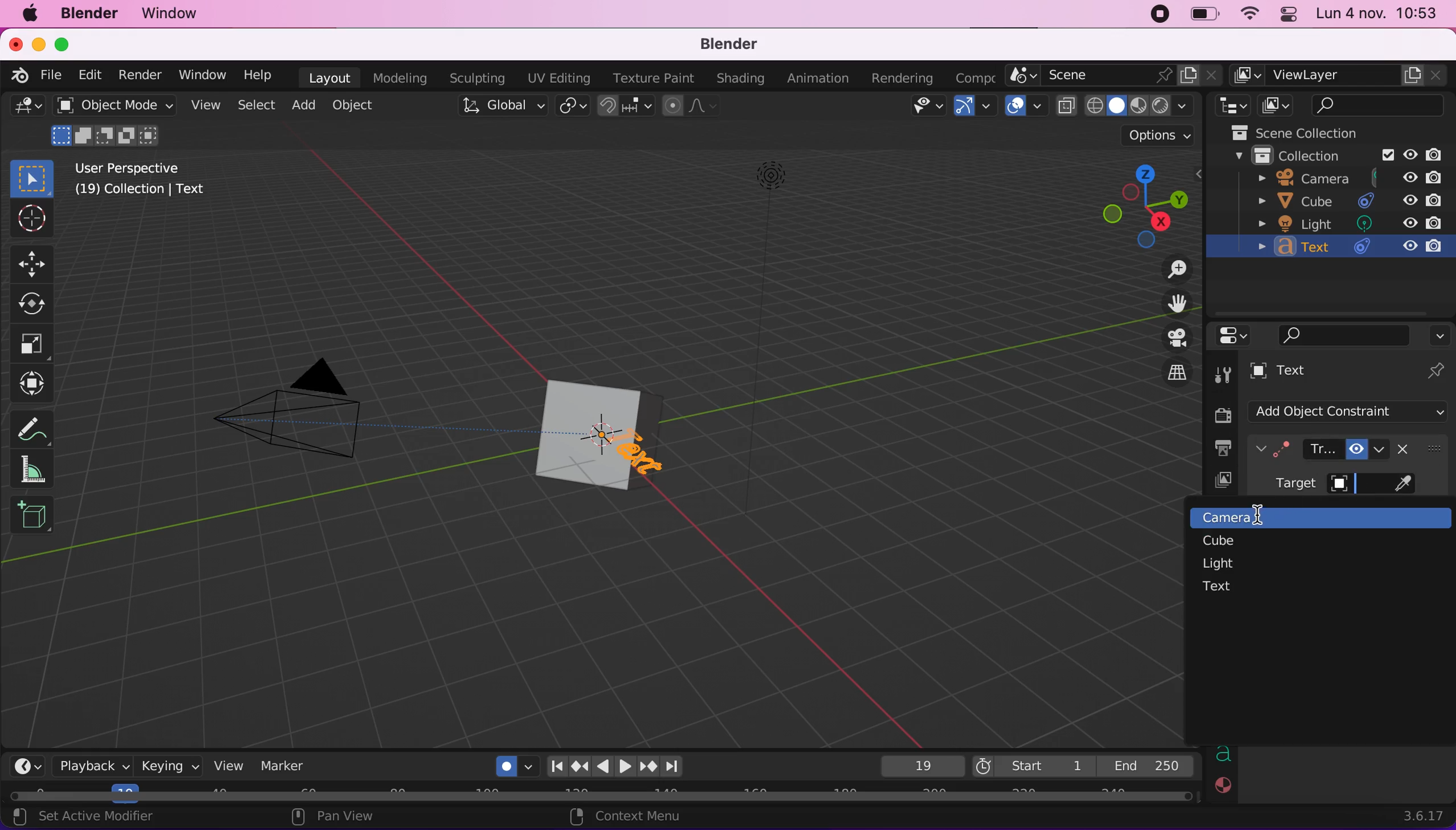  What do you see at coordinates (1218, 587) in the screenshot?
I see `text` at bounding box center [1218, 587].